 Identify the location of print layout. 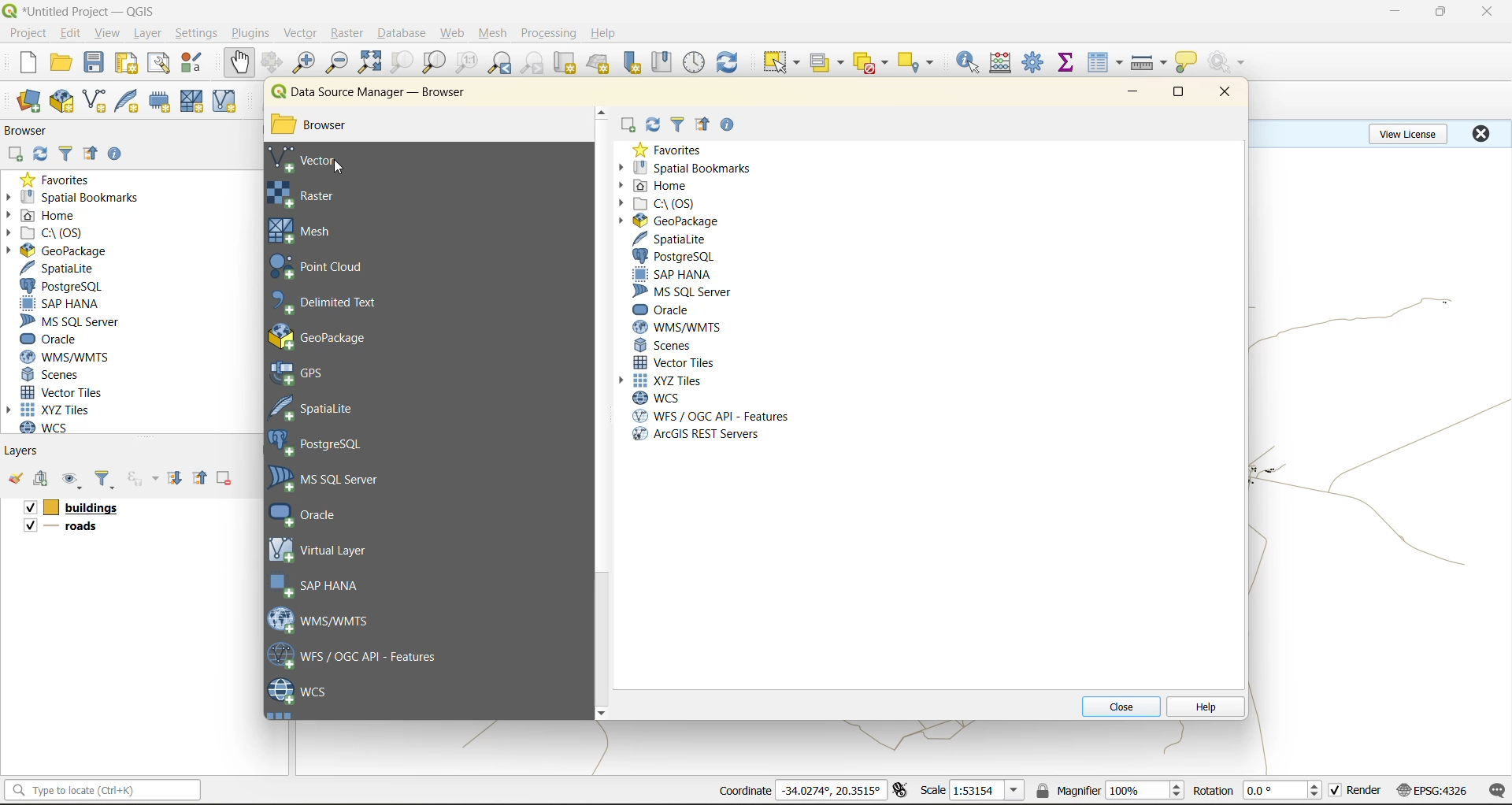
(130, 65).